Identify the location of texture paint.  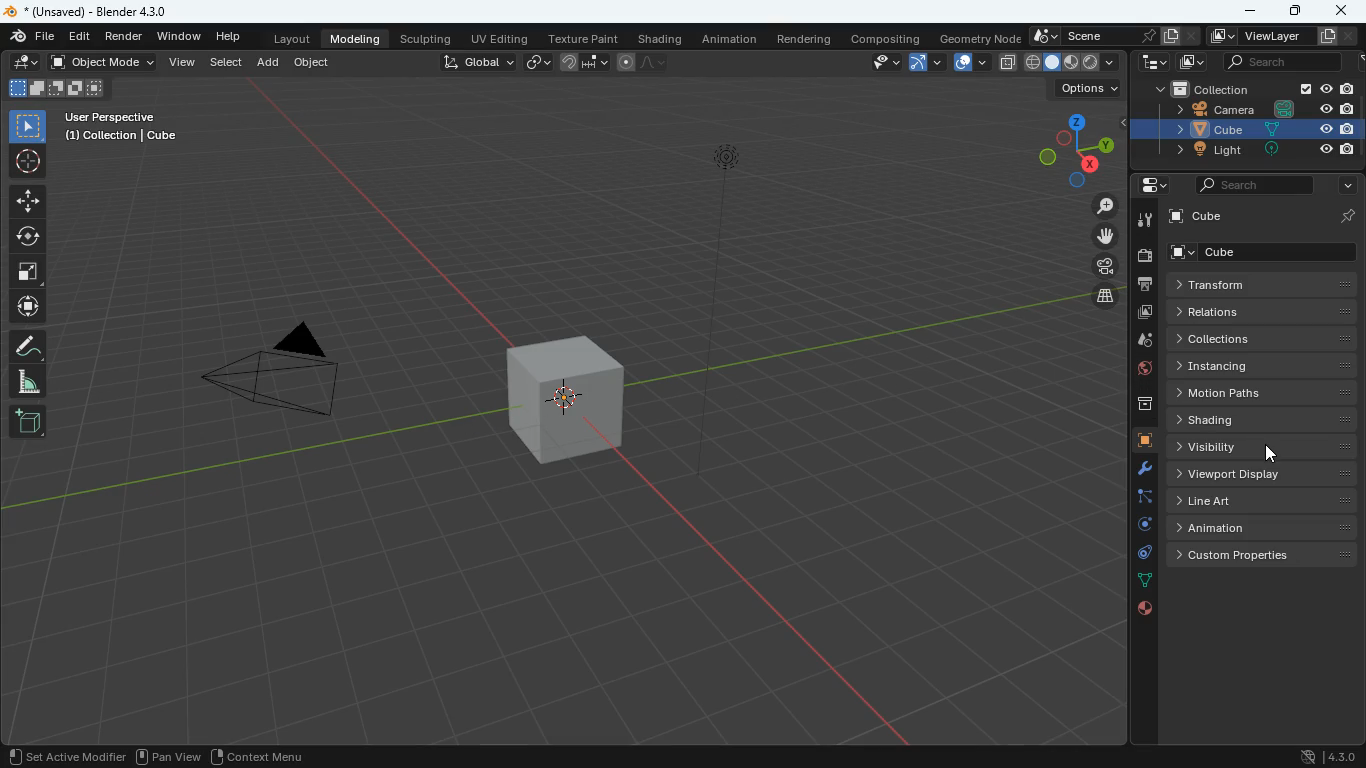
(583, 38).